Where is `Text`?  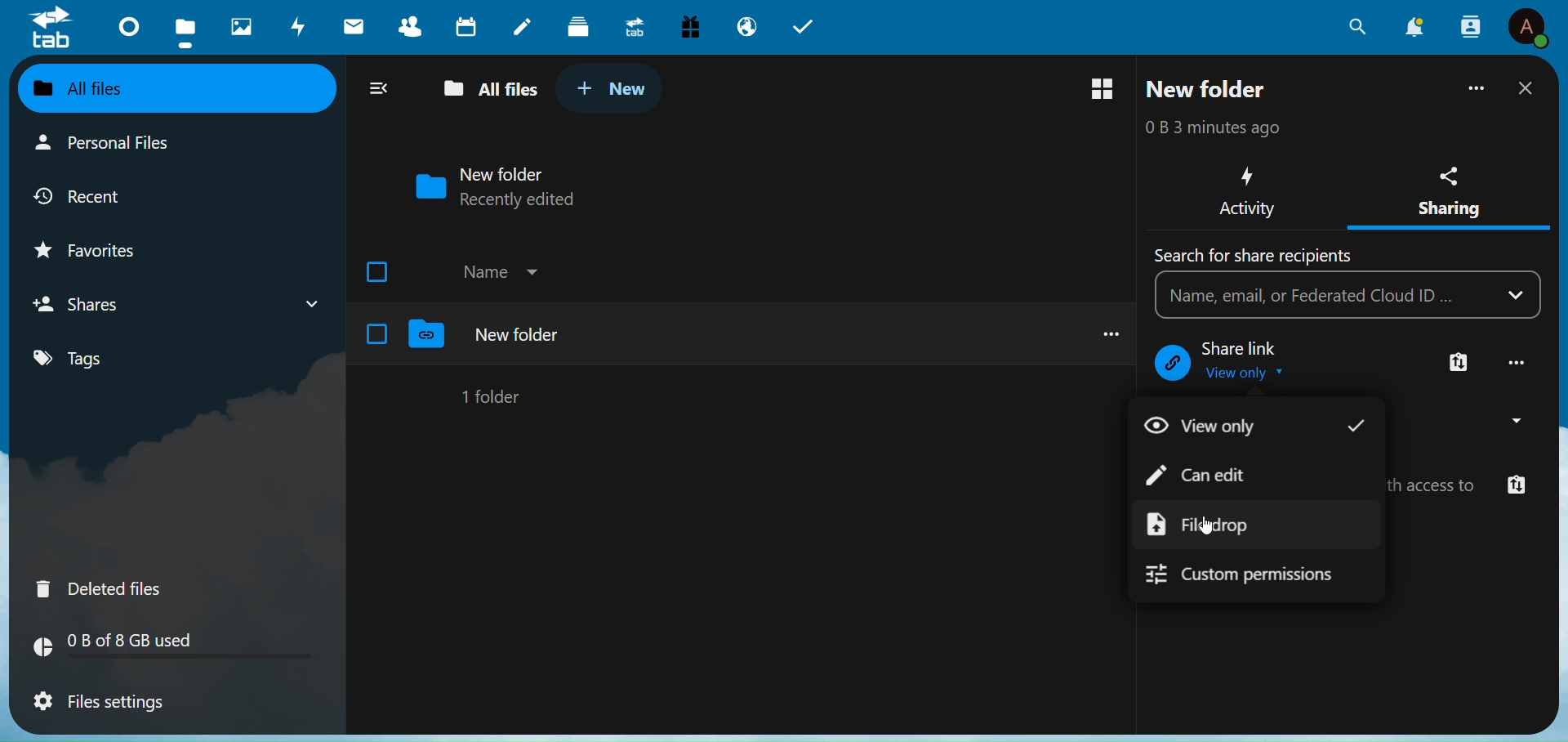
Text is located at coordinates (1254, 255).